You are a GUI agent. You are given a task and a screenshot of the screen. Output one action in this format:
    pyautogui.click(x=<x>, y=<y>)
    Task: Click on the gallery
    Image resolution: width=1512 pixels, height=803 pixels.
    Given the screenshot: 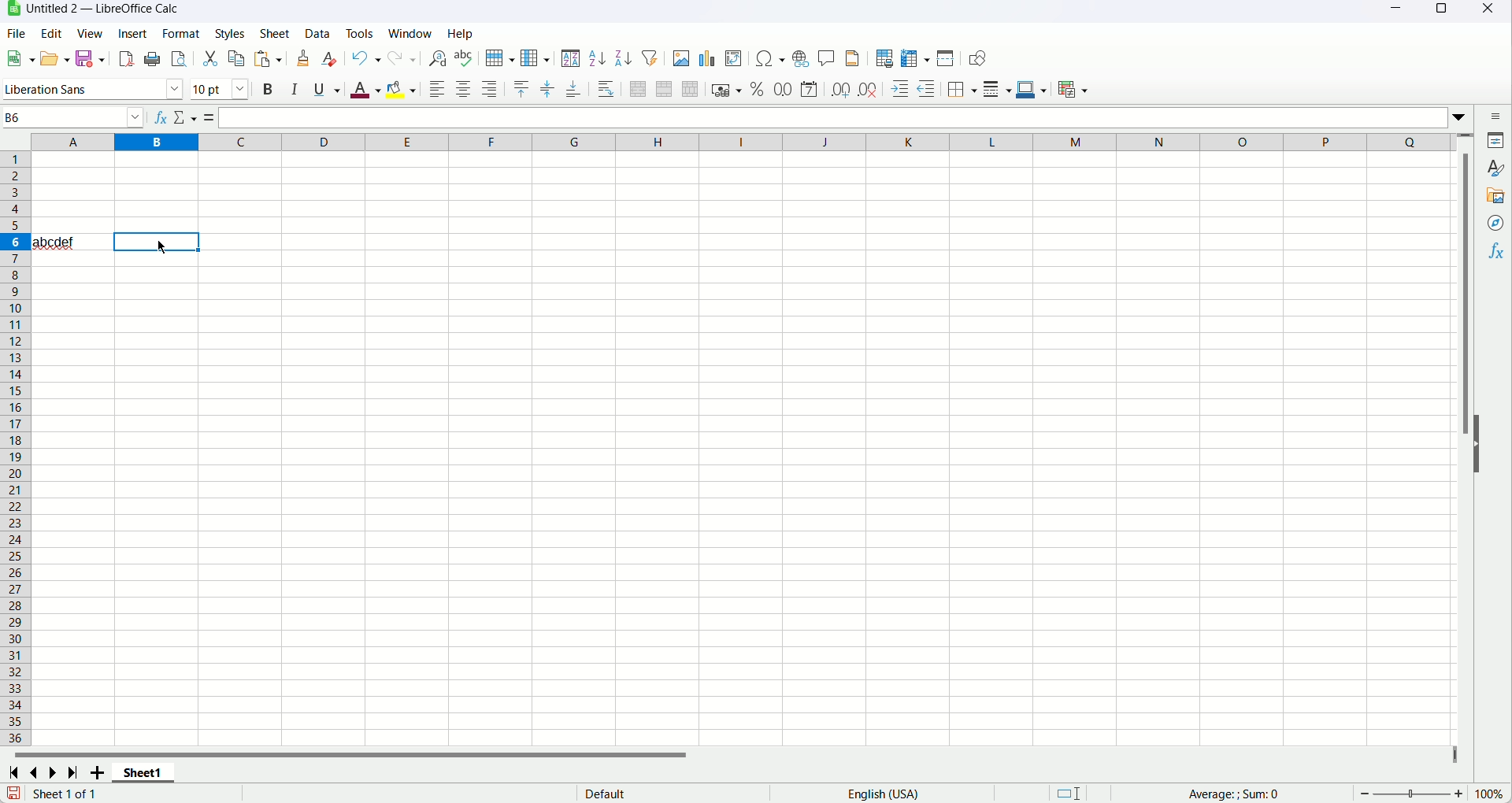 What is the action you would take?
    pyautogui.click(x=1497, y=197)
    